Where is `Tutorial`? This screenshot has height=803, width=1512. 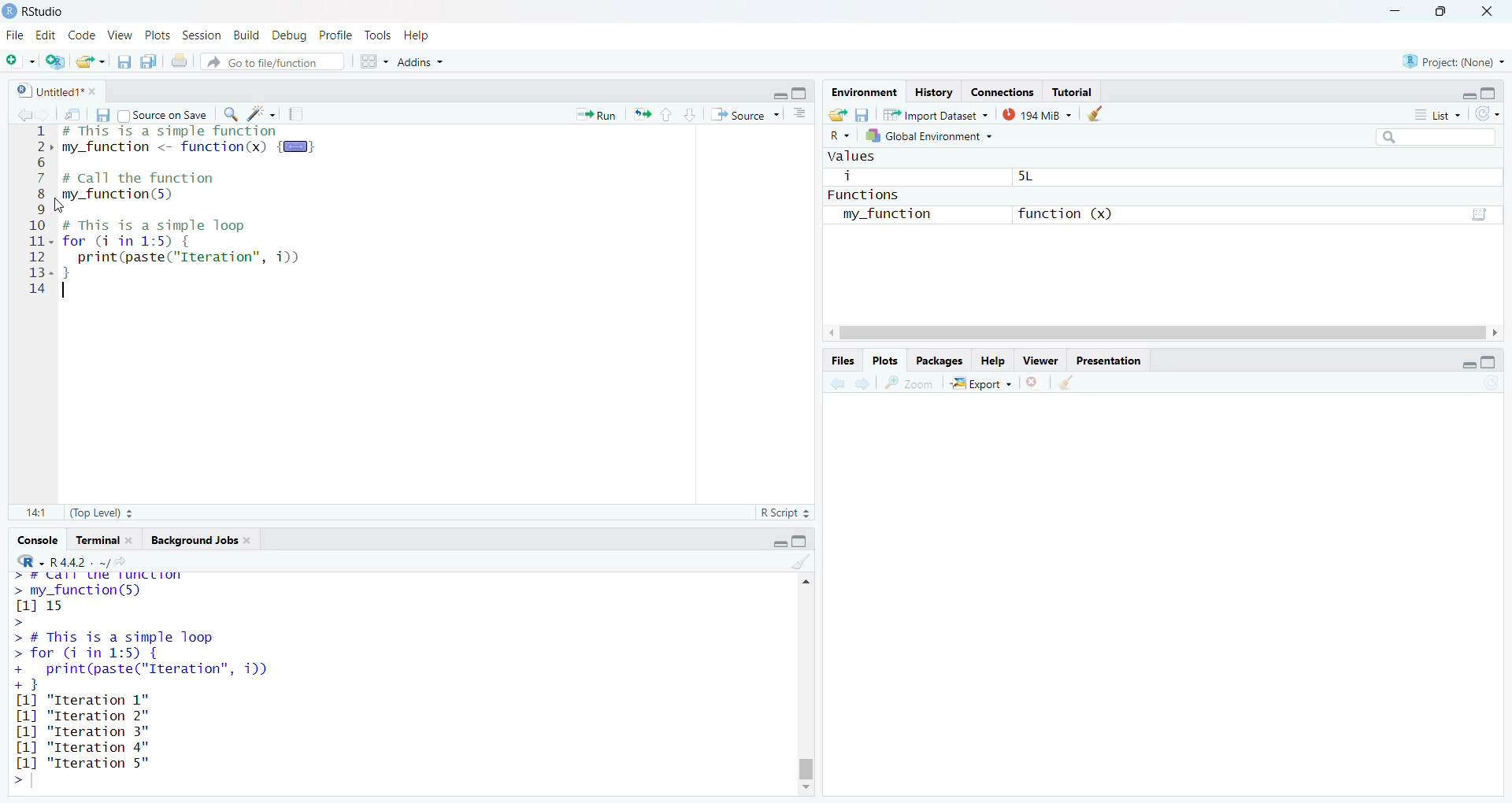
Tutorial is located at coordinates (1073, 91).